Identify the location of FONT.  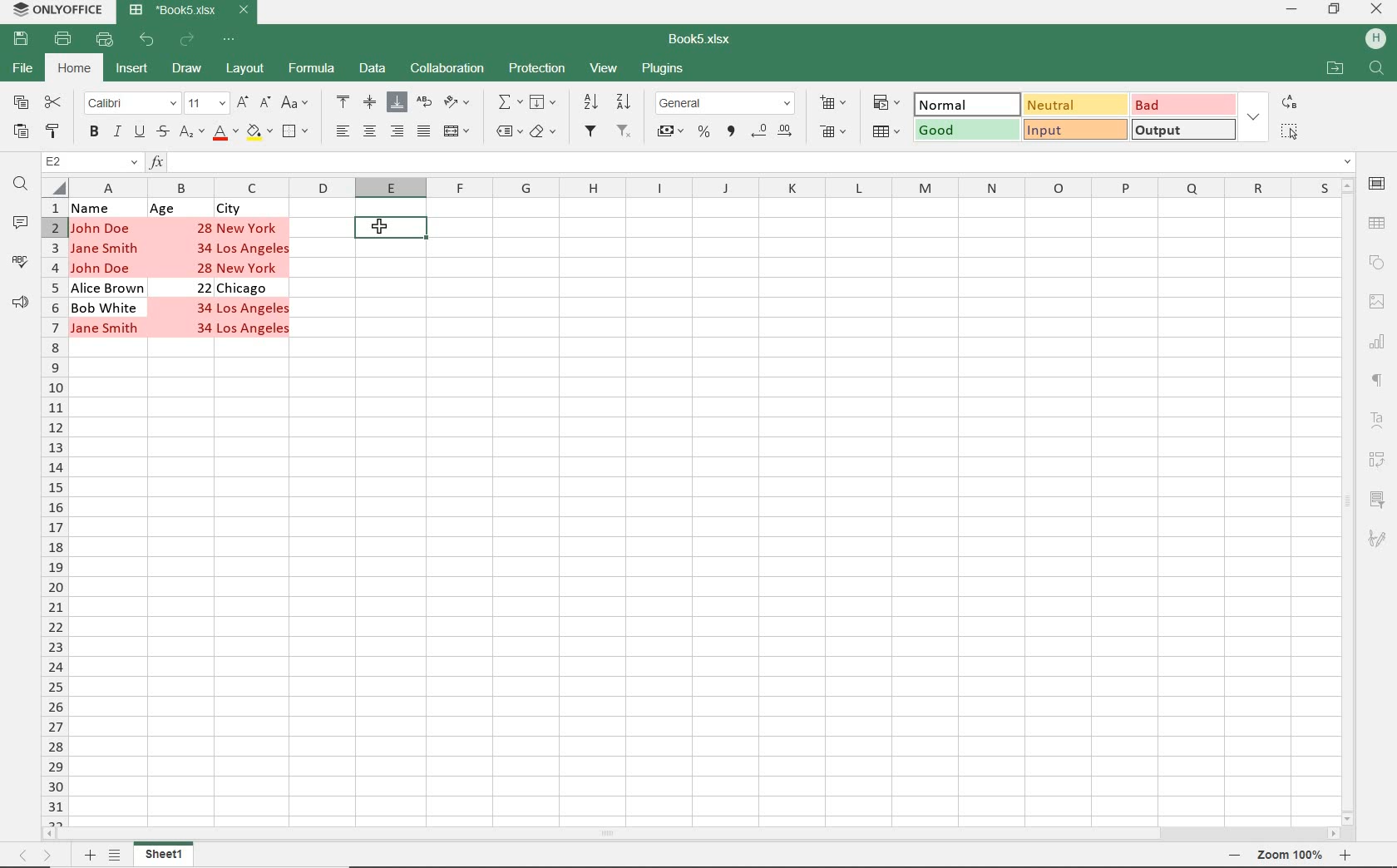
(131, 104).